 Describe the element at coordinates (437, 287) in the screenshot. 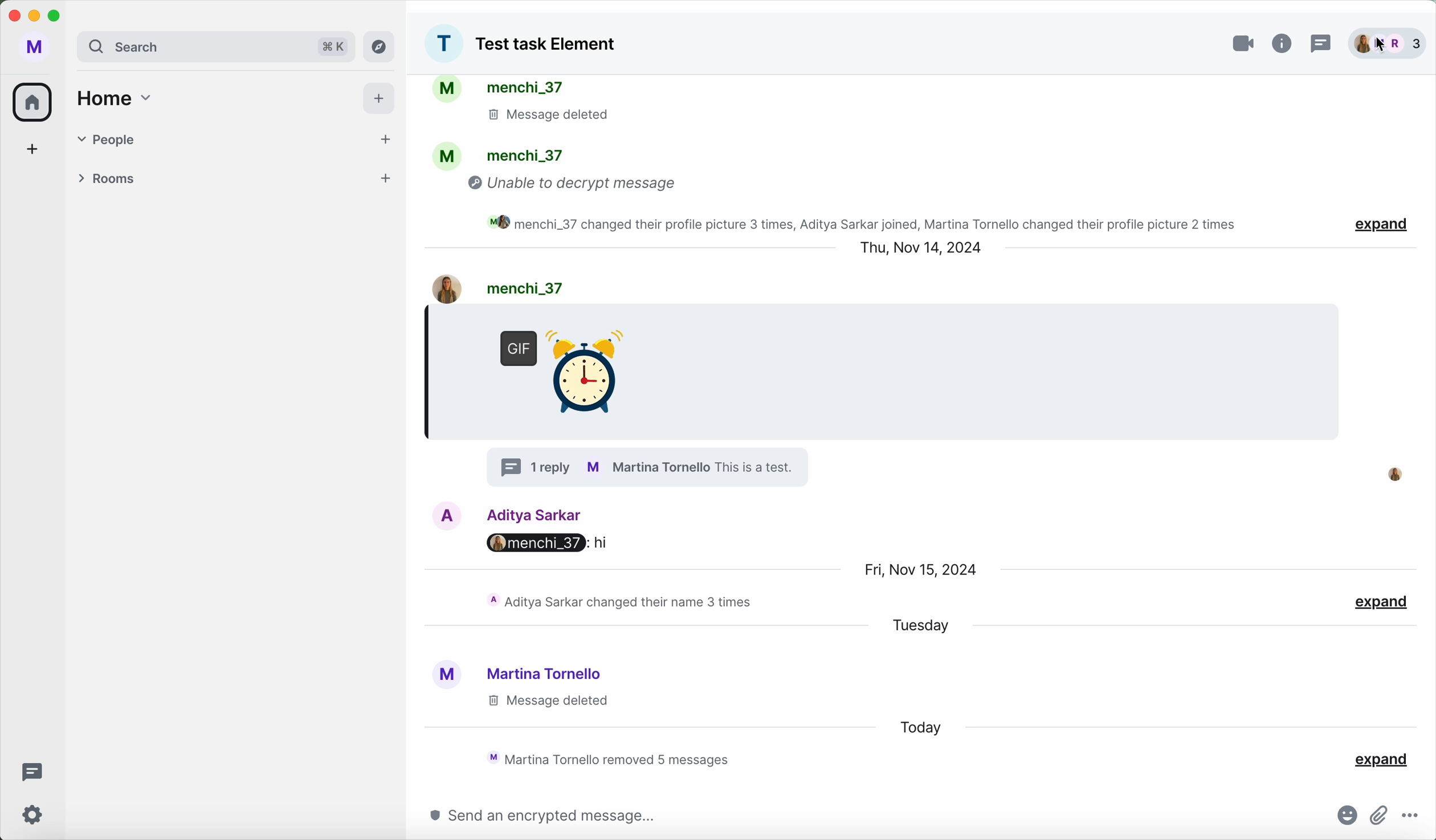

I see `image profile` at that location.